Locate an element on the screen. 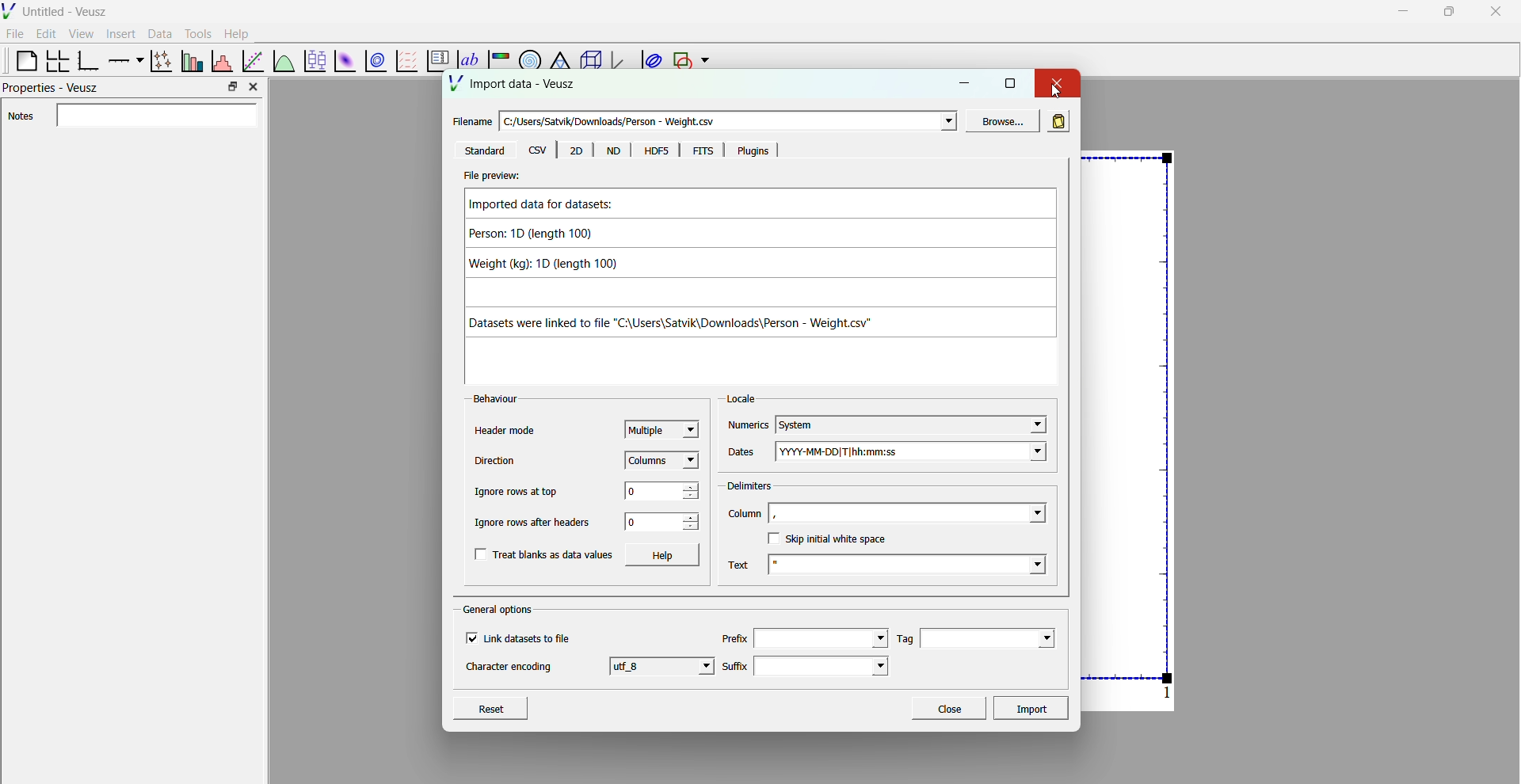 This screenshot has height=784, width=1521. 3d graph is located at coordinates (619, 63).